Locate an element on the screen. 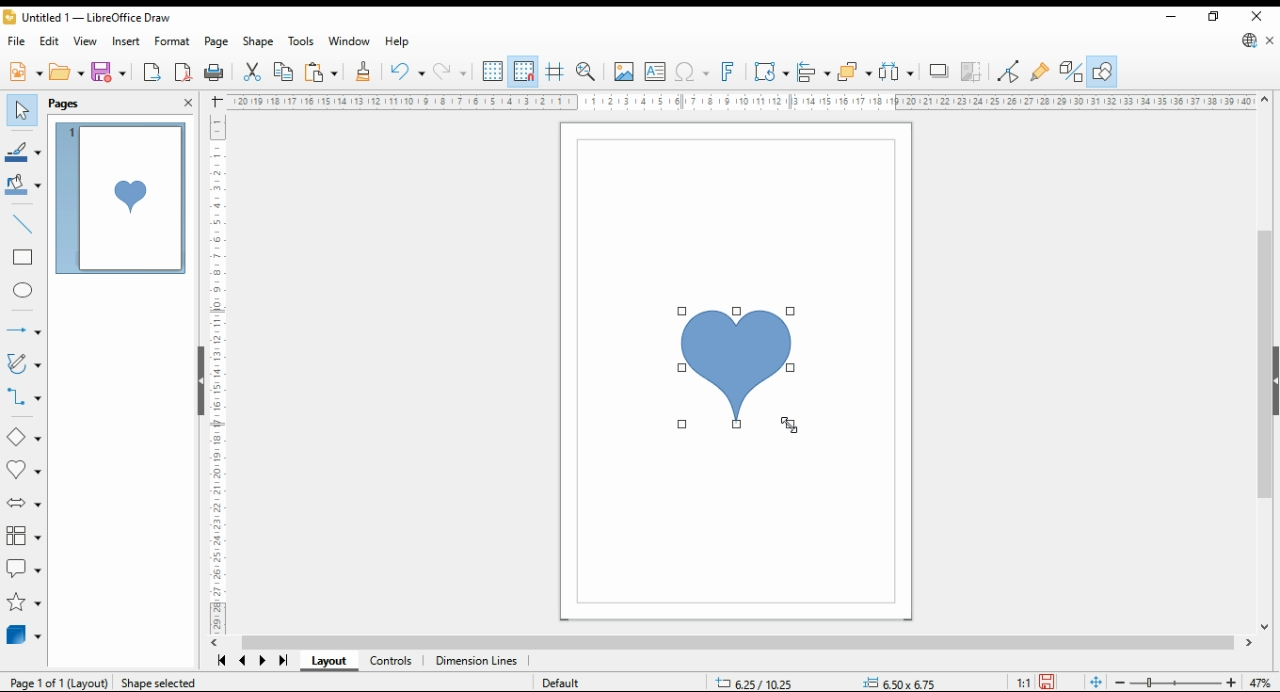 The width and height of the screenshot is (1280, 692). shape is located at coordinates (738, 369).